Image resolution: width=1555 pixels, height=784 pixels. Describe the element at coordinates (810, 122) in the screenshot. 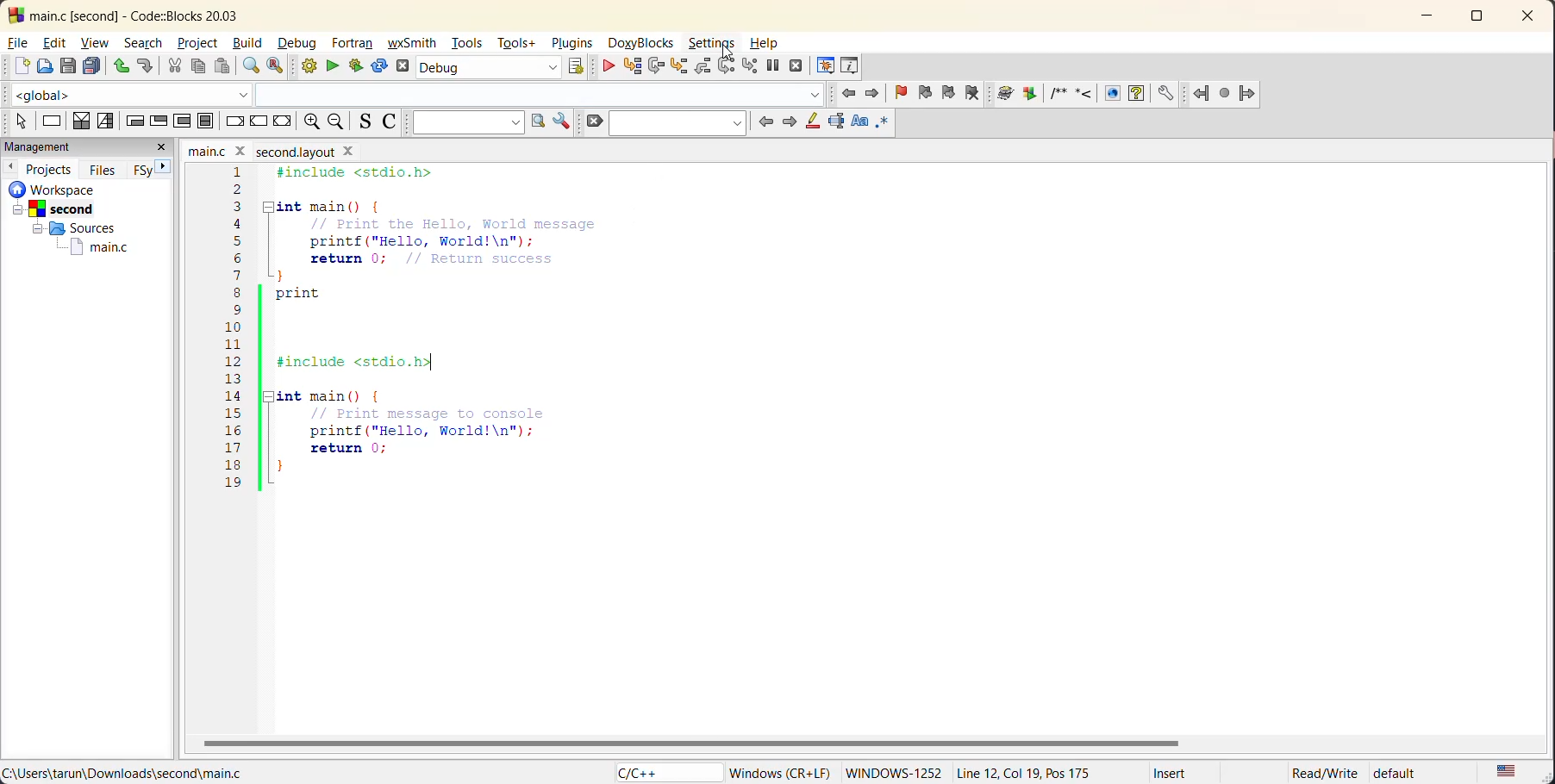

I see `highlight` at that location.